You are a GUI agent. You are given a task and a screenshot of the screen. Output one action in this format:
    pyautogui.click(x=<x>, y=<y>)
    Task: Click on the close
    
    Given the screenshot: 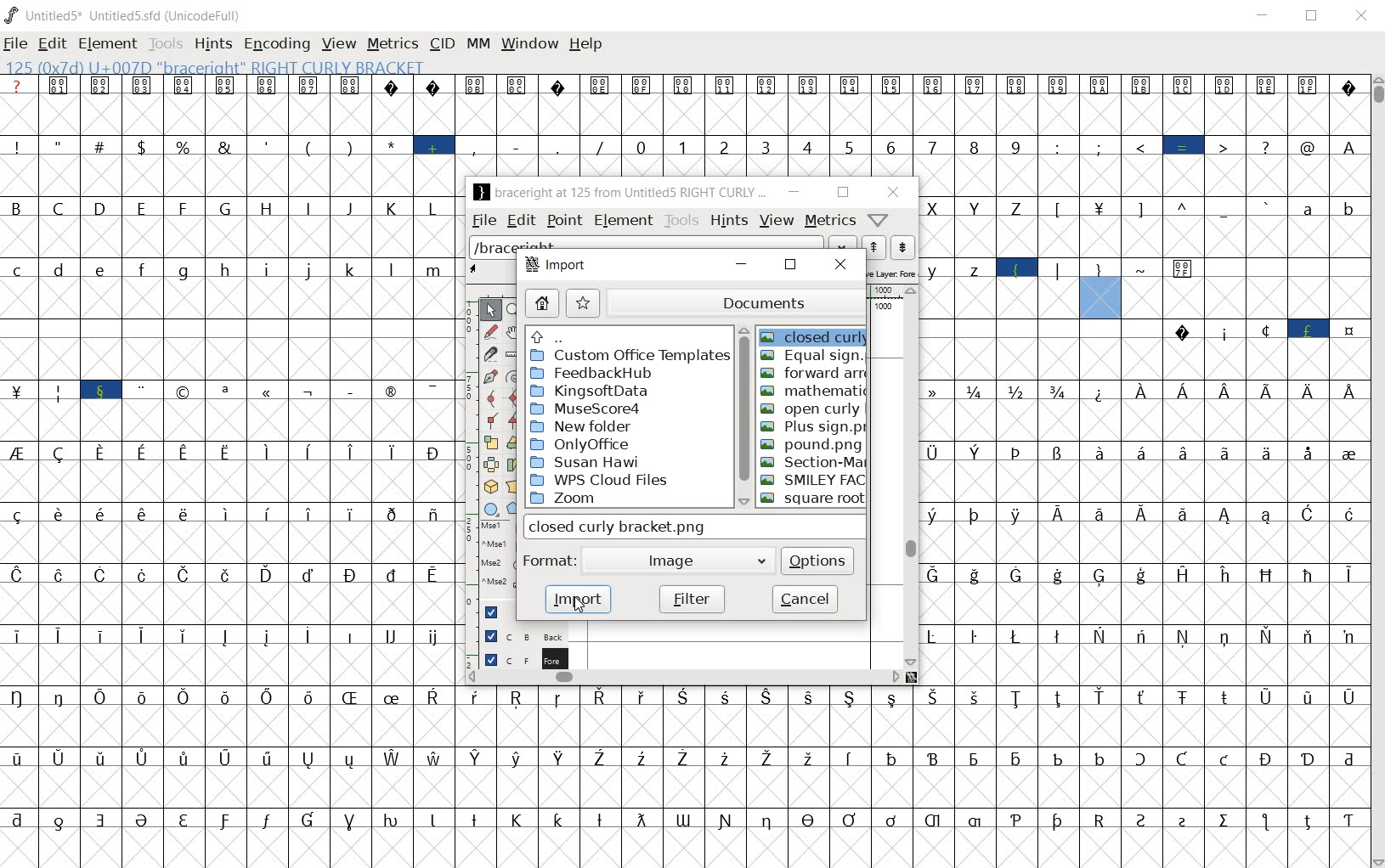 What is the action you would take?
    pyautogui.click(x=894, y=192)
    